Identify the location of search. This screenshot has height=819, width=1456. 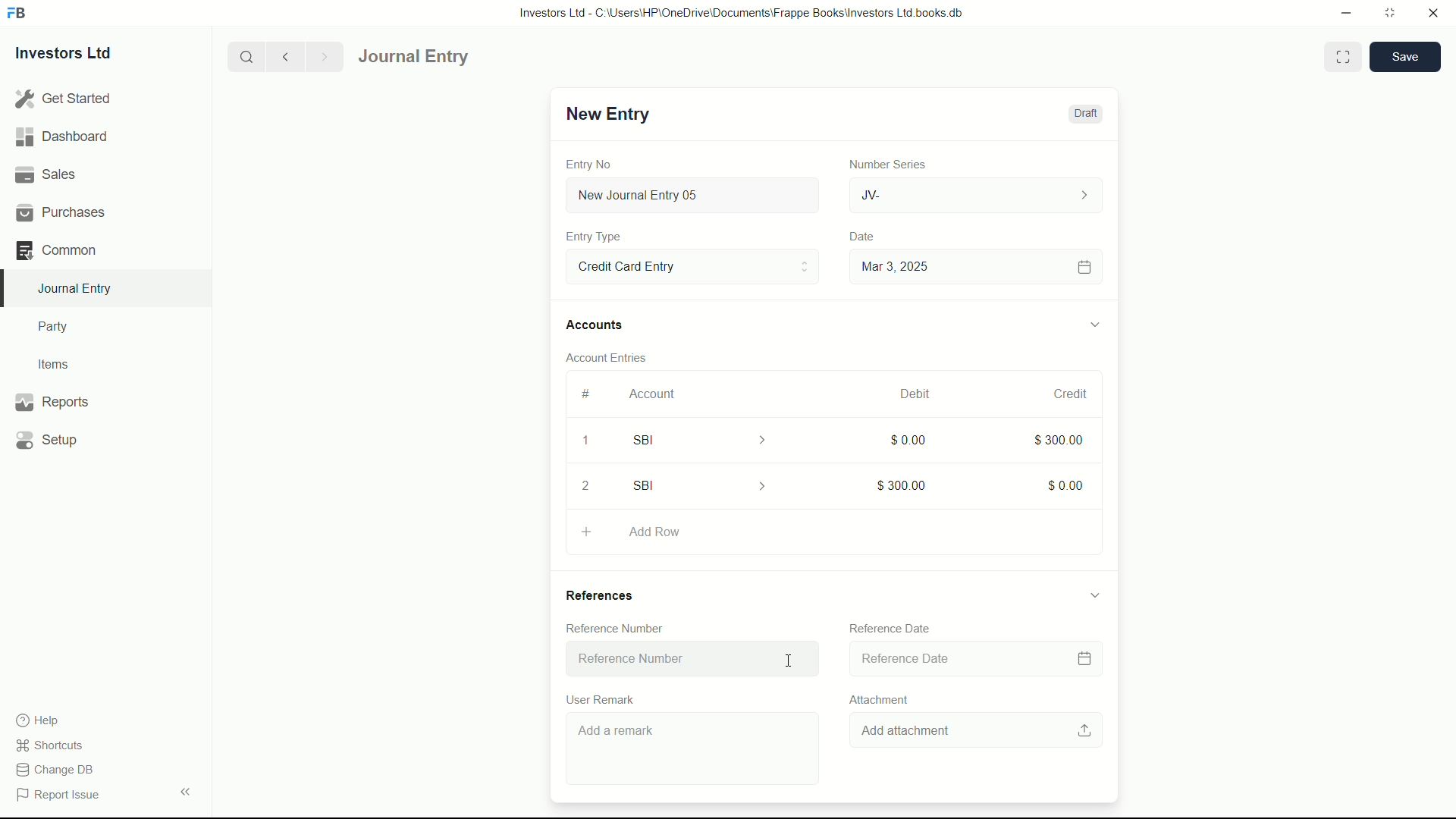
(245, 55).